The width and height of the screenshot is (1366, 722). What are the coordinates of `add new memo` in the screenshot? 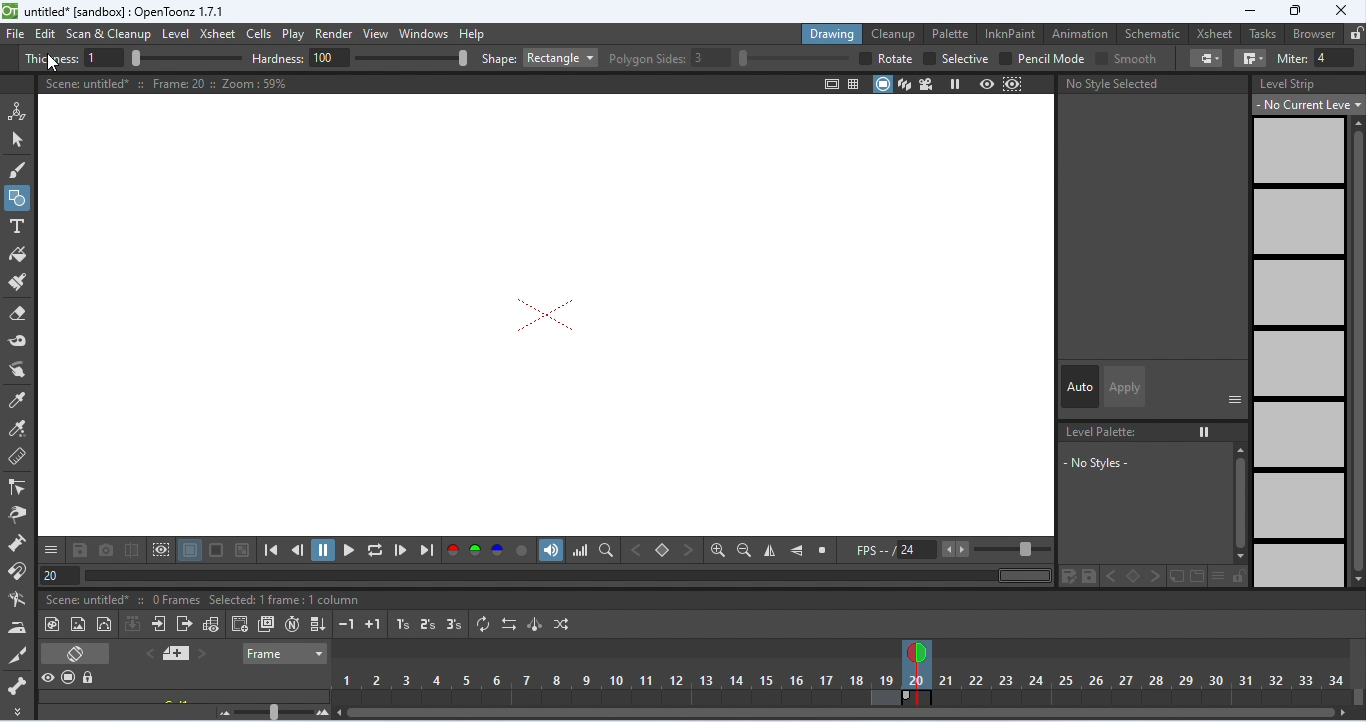 It's located at (177, 653).